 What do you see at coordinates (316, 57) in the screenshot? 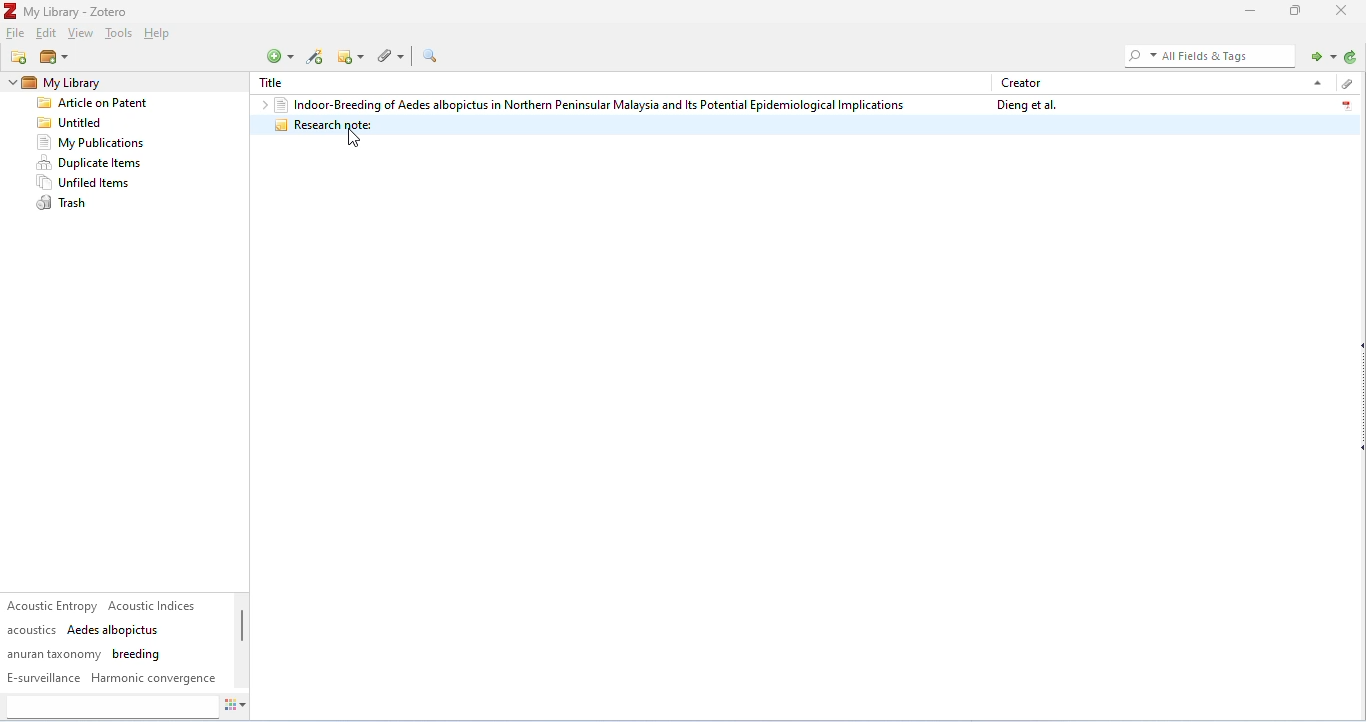
I see `add item` at bounding box center [316, 57].